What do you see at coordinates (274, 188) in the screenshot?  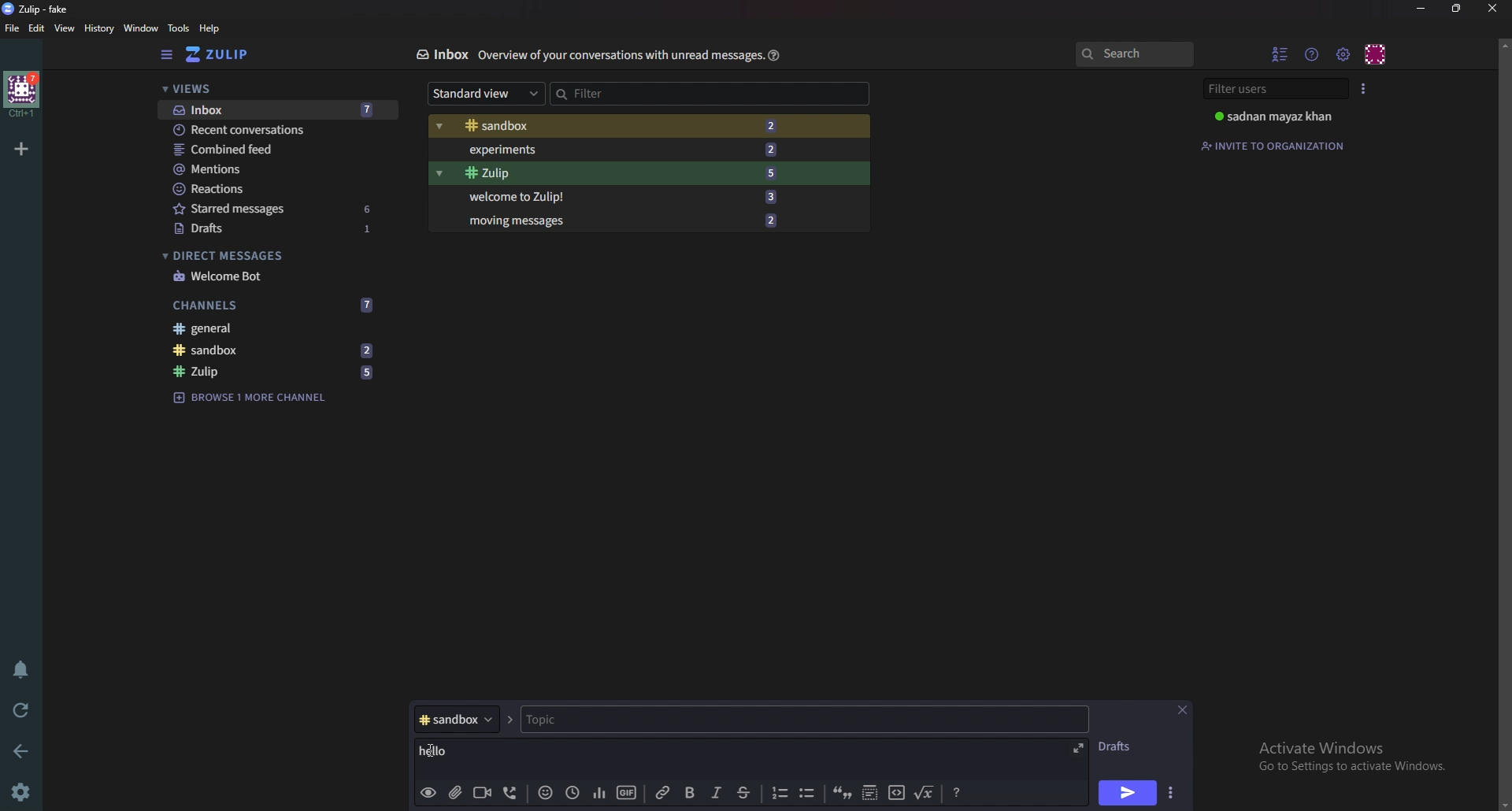 I see `Reactions` at bounding box center [274, 188].